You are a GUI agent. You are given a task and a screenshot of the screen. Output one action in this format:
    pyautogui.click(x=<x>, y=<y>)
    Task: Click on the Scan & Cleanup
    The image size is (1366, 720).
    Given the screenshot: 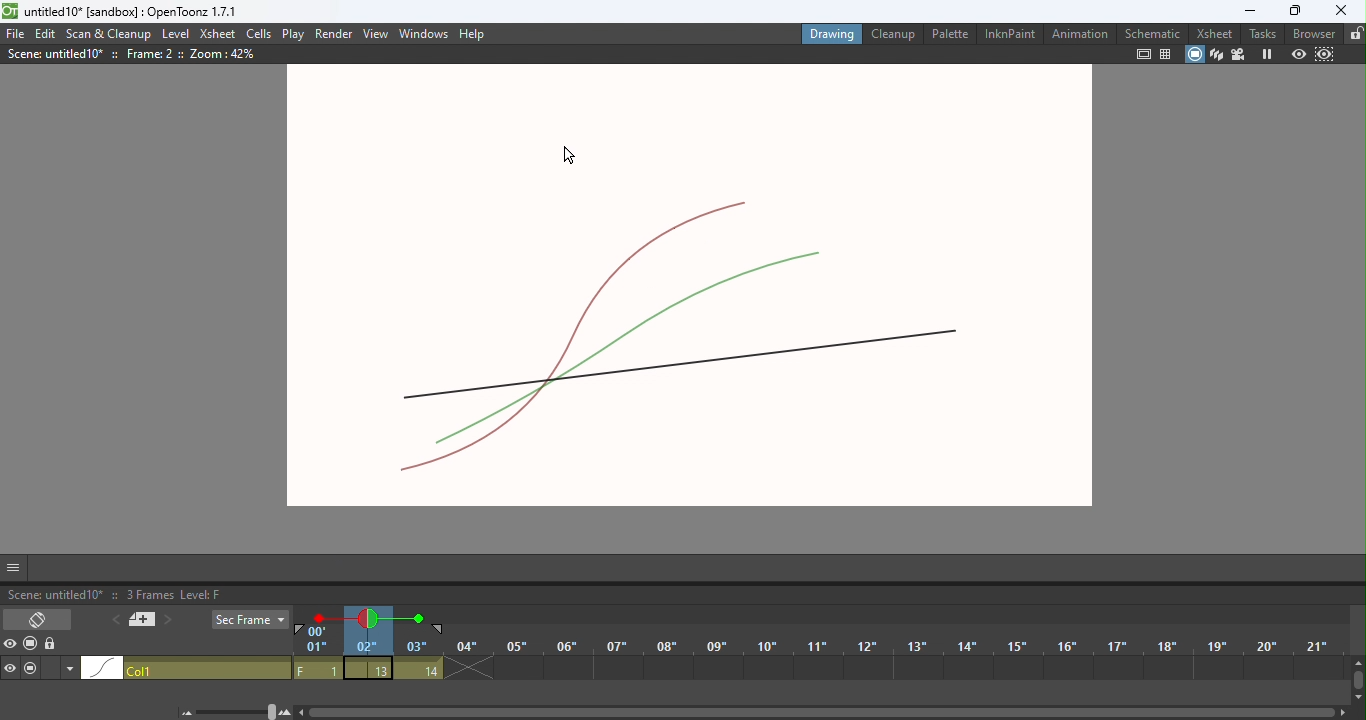 What is the action you would take?
    pyautogui.click(x=111, y=33)
    